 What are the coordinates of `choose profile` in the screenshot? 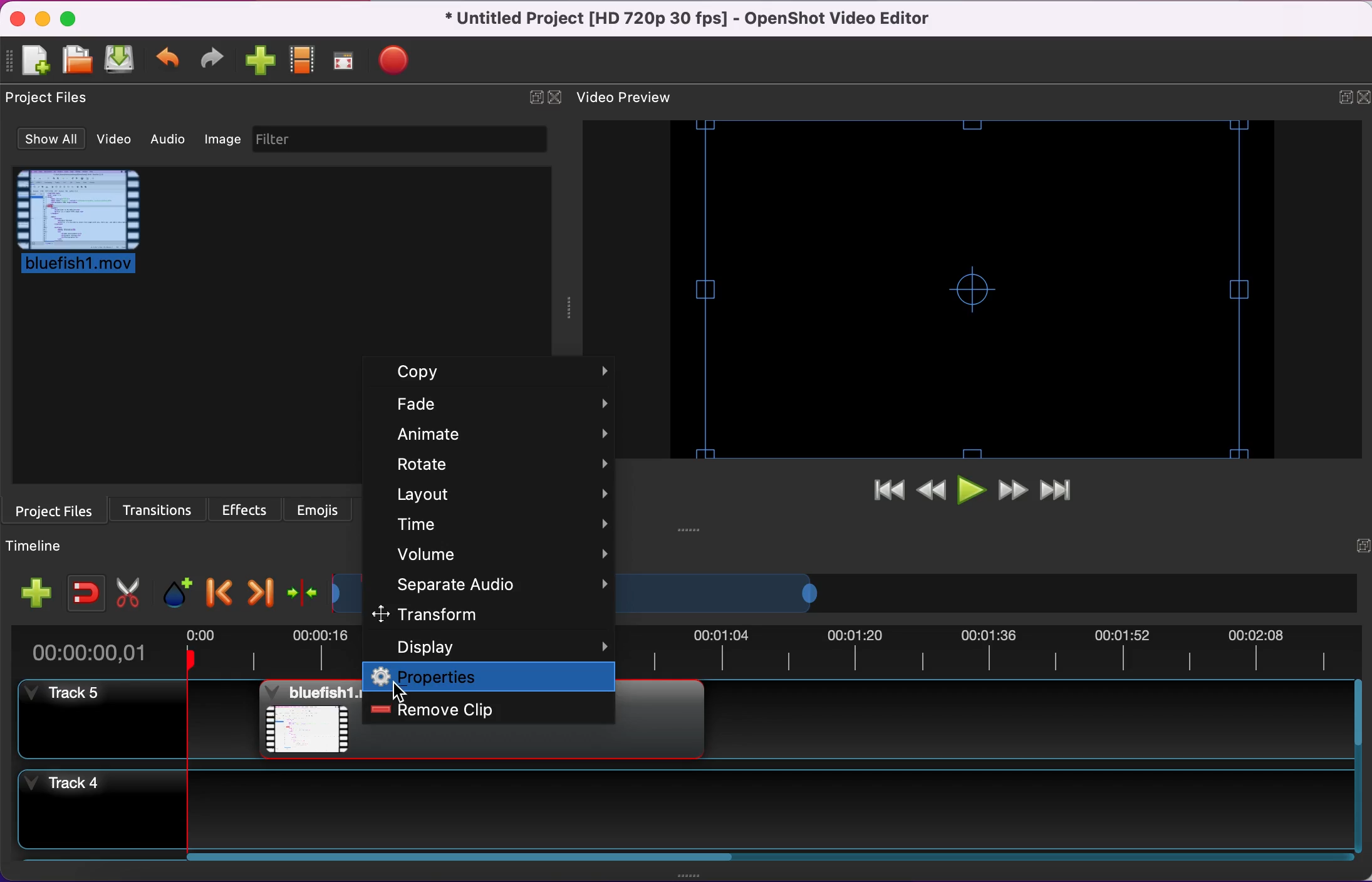 It's located at (308, 60).